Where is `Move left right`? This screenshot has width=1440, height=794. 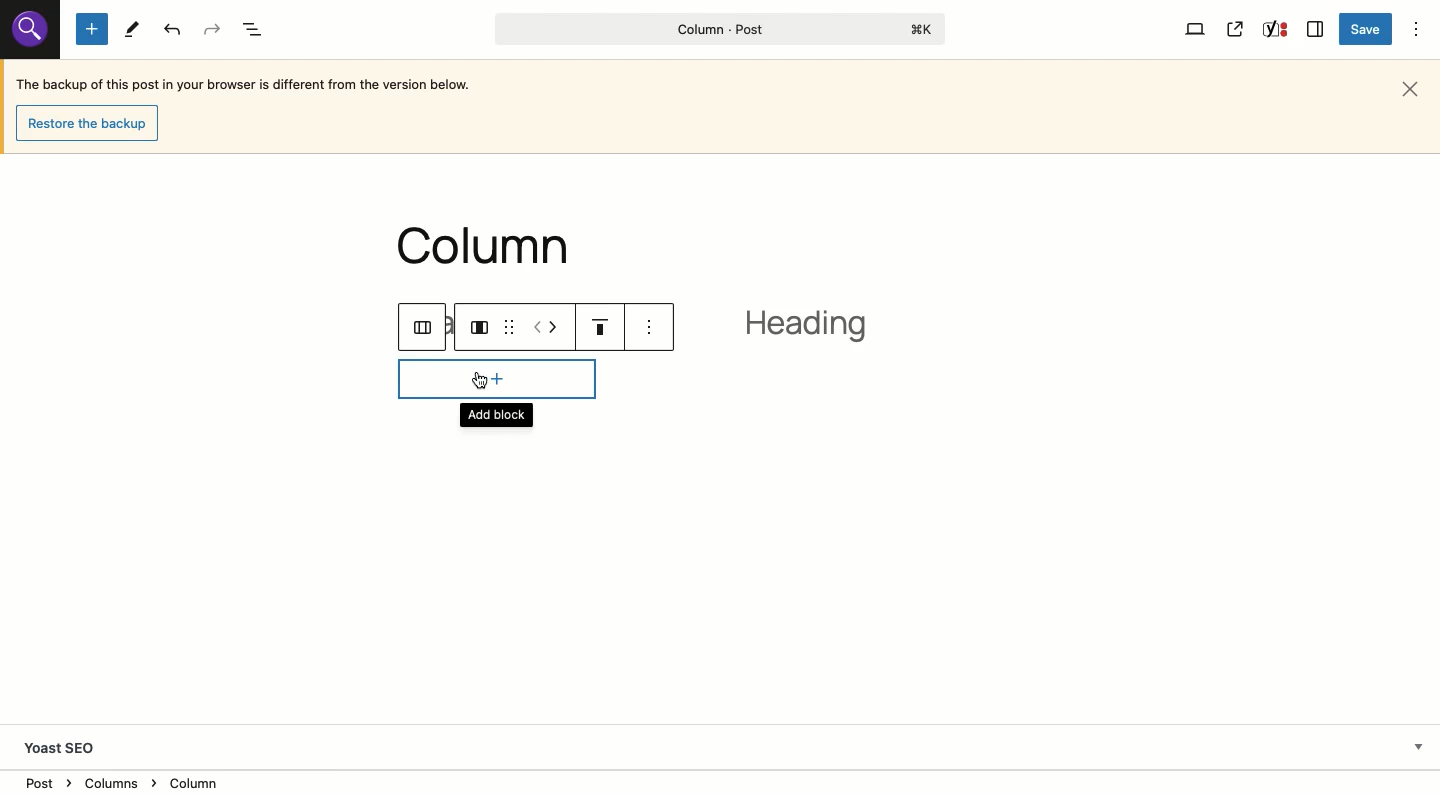
Move left right is located at coordinates (547, 326).